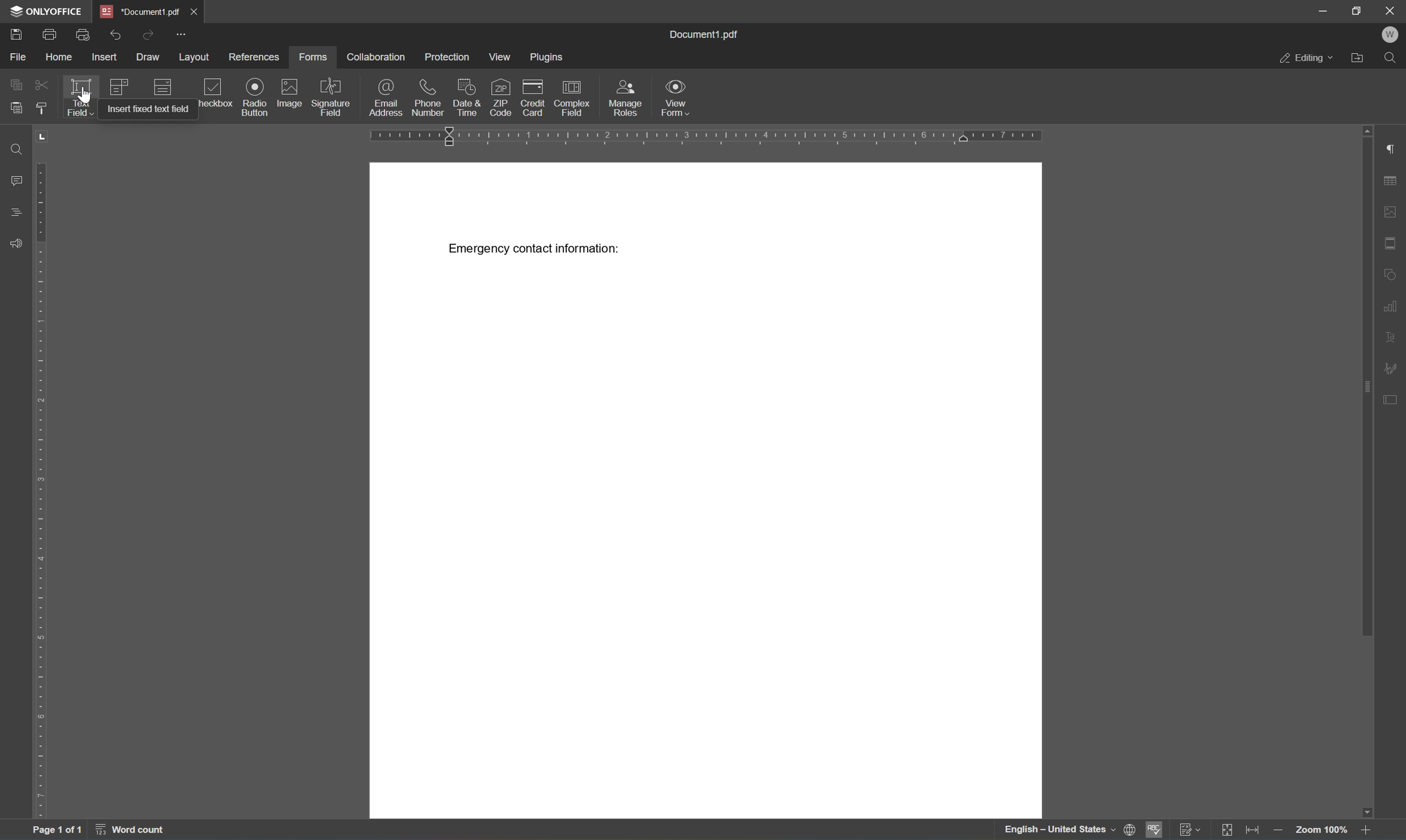 This screenshot has width=1406, height=840. I want to click on ruler, so click(712, 136).